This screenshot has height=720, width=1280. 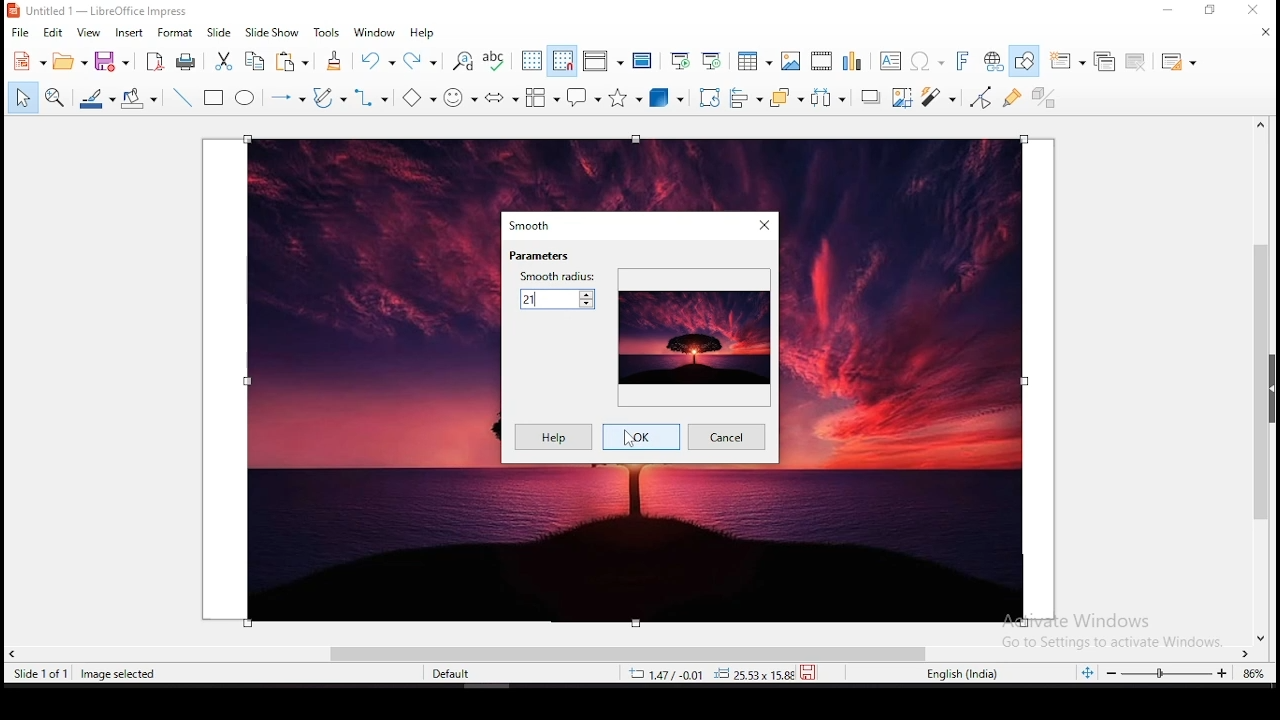 What do you see at coordinates (20, 99) in the screenshot?
I see `select tool` at bounding box center [20, 99].